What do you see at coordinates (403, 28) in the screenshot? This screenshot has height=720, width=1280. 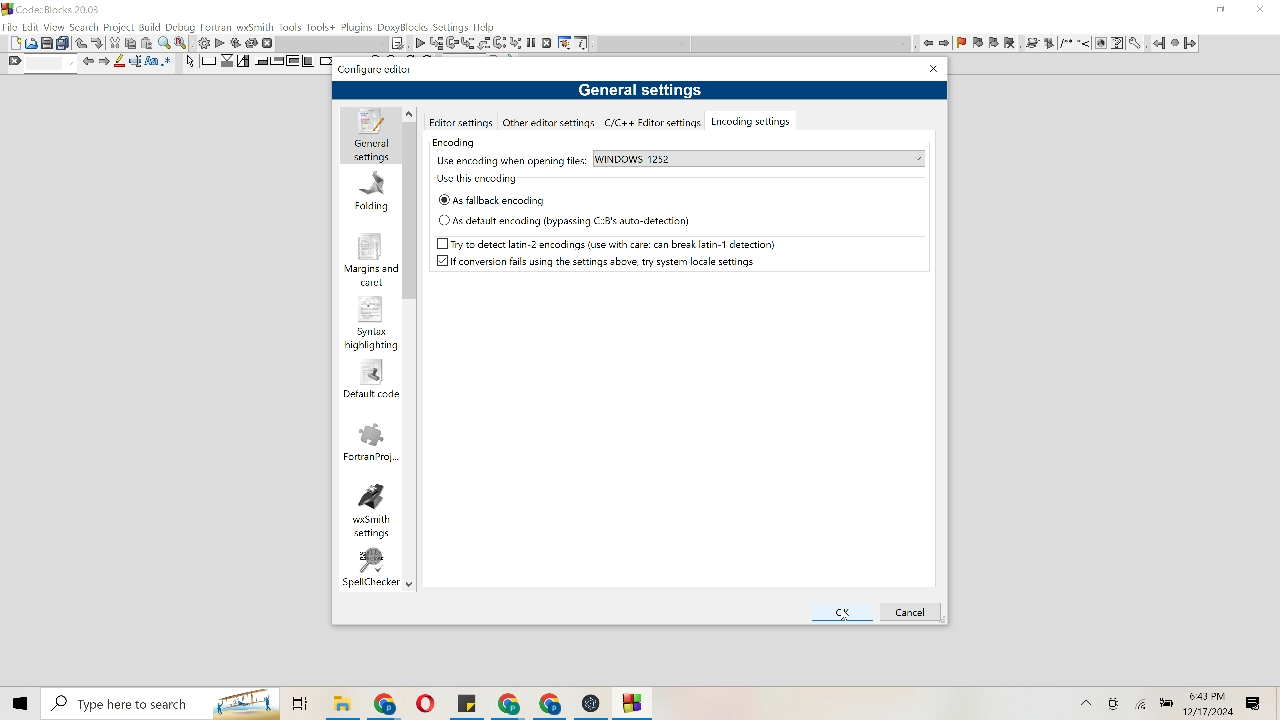 I see `Doxyblocks` at bounding box center [403, 28].